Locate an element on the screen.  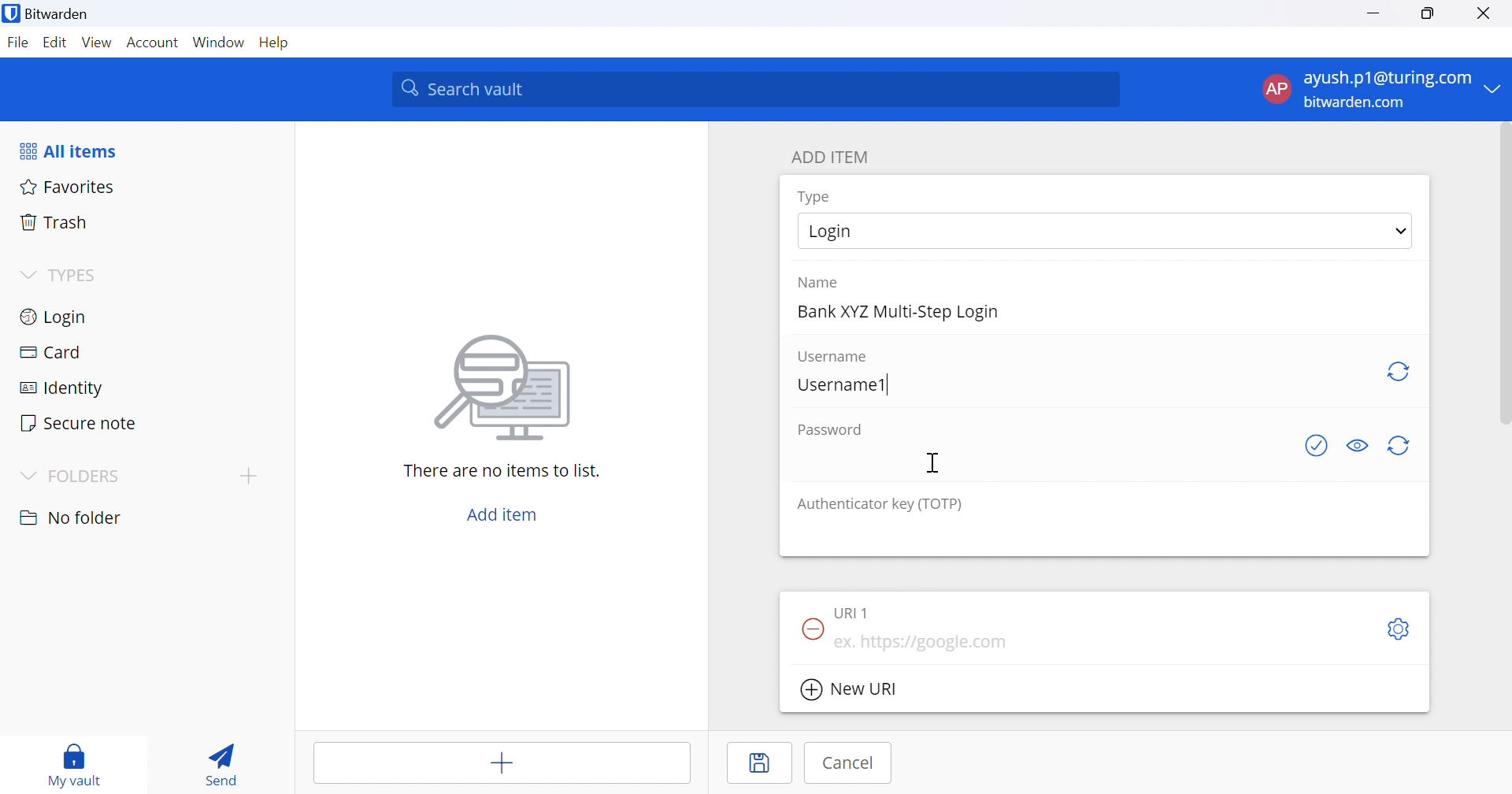
Favorites is located at coordinates (68, 186).